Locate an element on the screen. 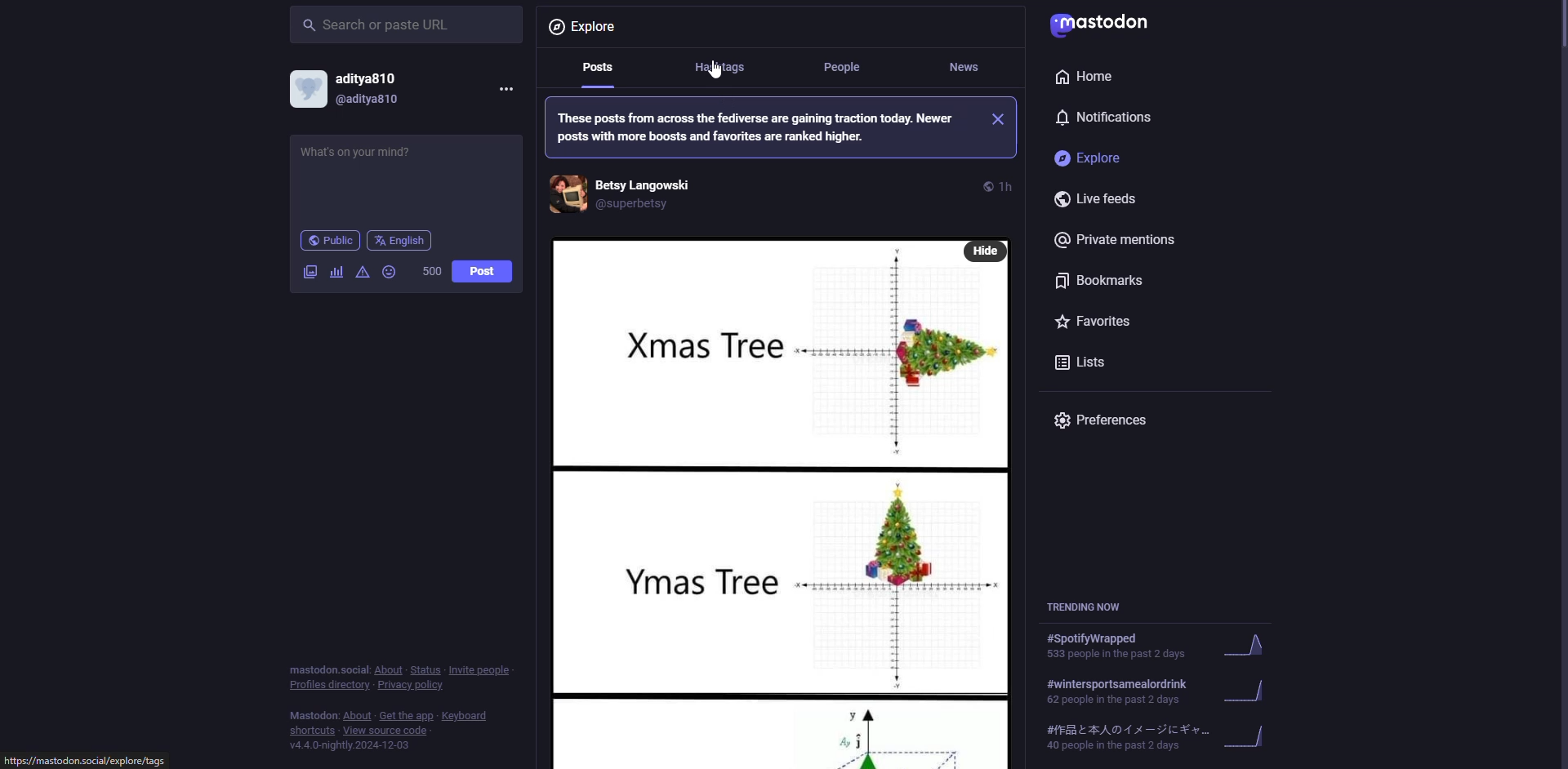 This screenshot has width=1568, height=769. emoji is located at coordinates (389, 272).